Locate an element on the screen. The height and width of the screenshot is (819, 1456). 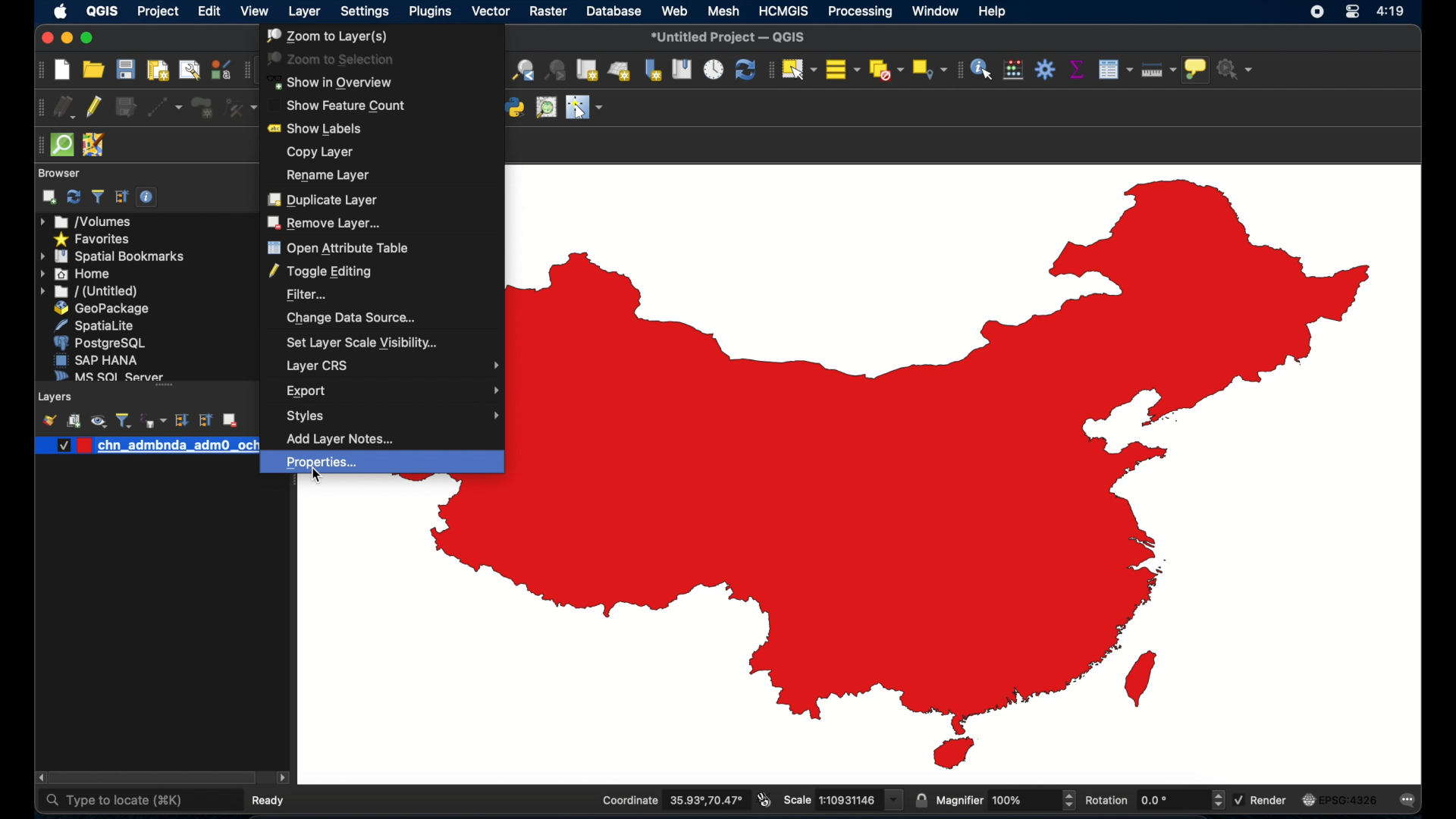
jsomremote is located at coordinates (93, 146).